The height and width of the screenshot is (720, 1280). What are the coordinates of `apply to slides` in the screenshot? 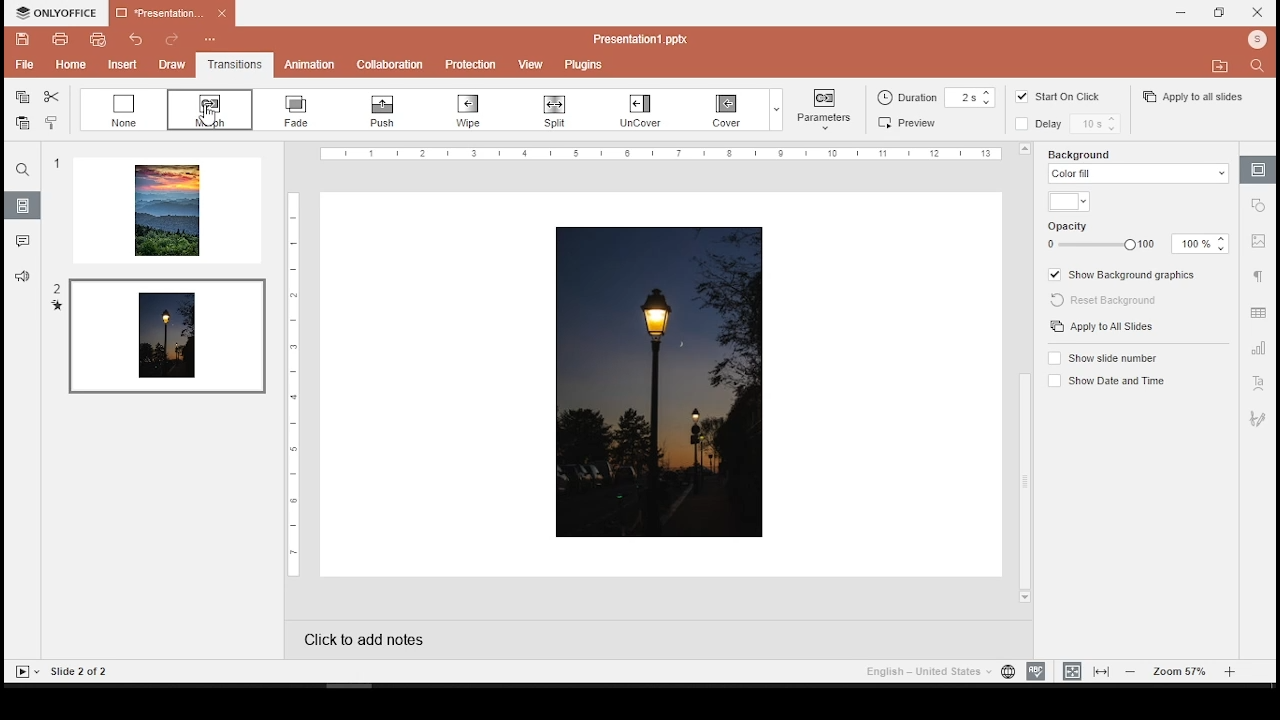 It's located at (1104, 327).